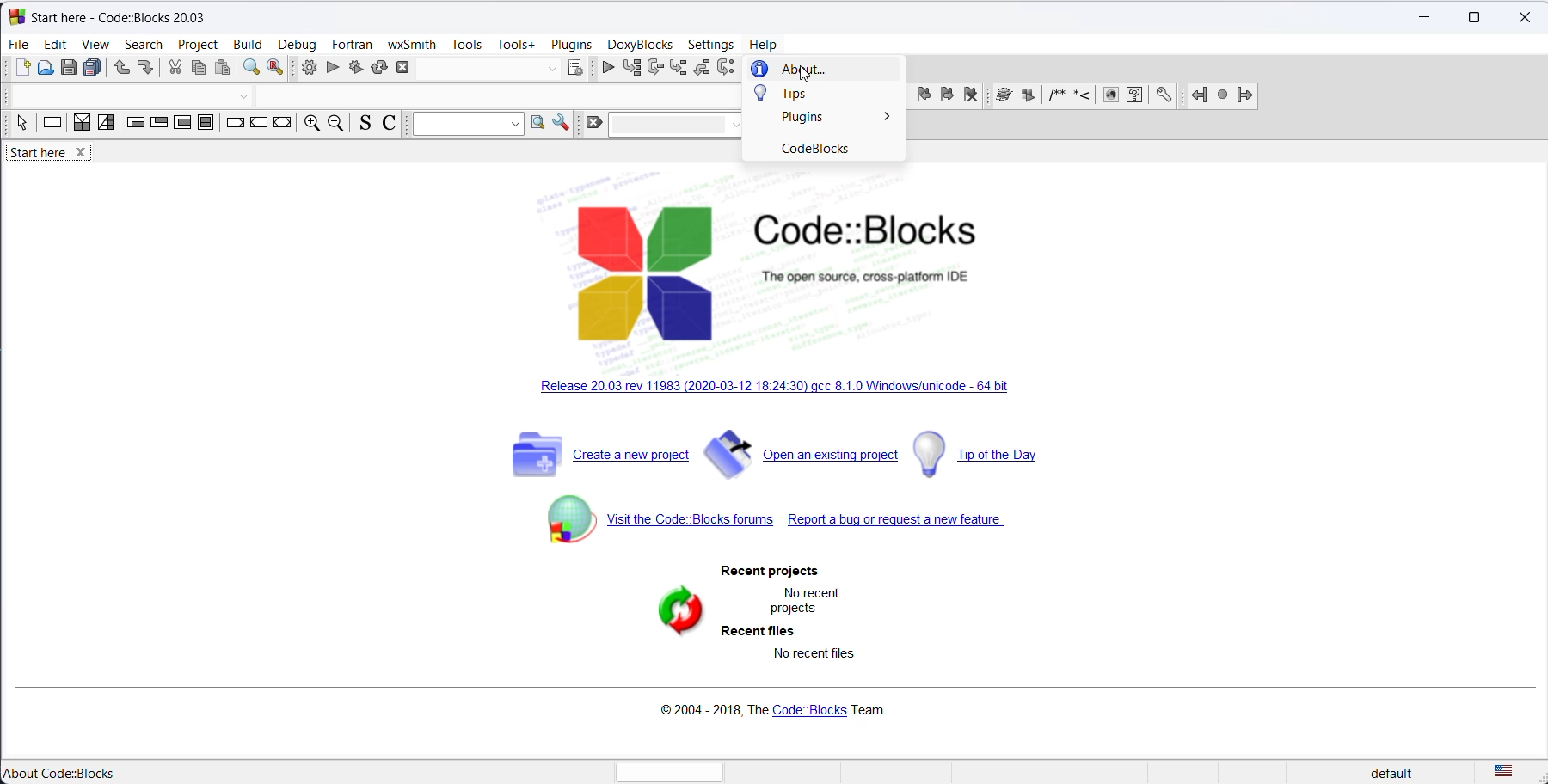  I want to click on build and run, so click(354, 68).